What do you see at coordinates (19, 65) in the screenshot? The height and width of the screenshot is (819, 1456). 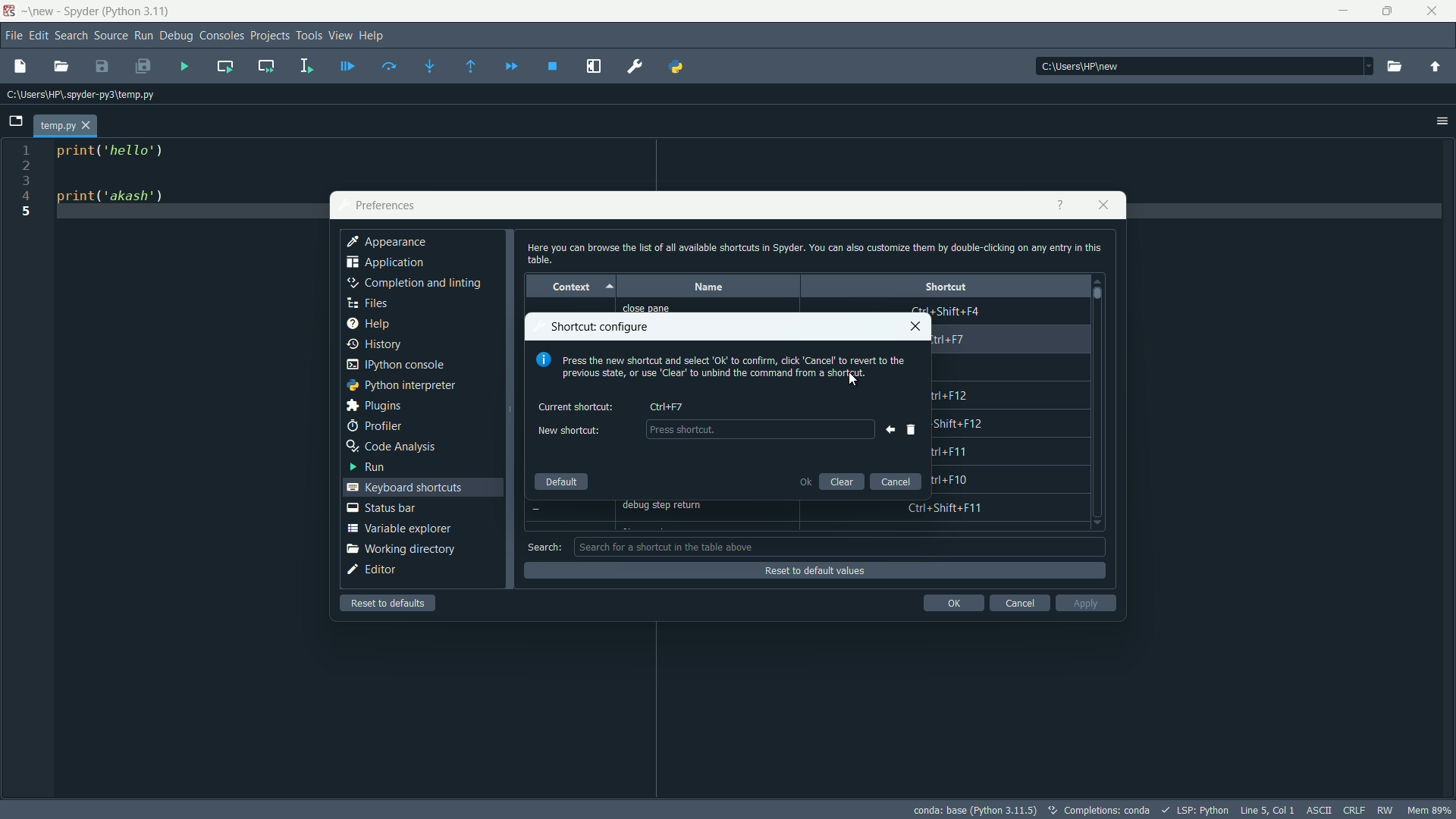 I see `new file` at bounding box center [19, 65].